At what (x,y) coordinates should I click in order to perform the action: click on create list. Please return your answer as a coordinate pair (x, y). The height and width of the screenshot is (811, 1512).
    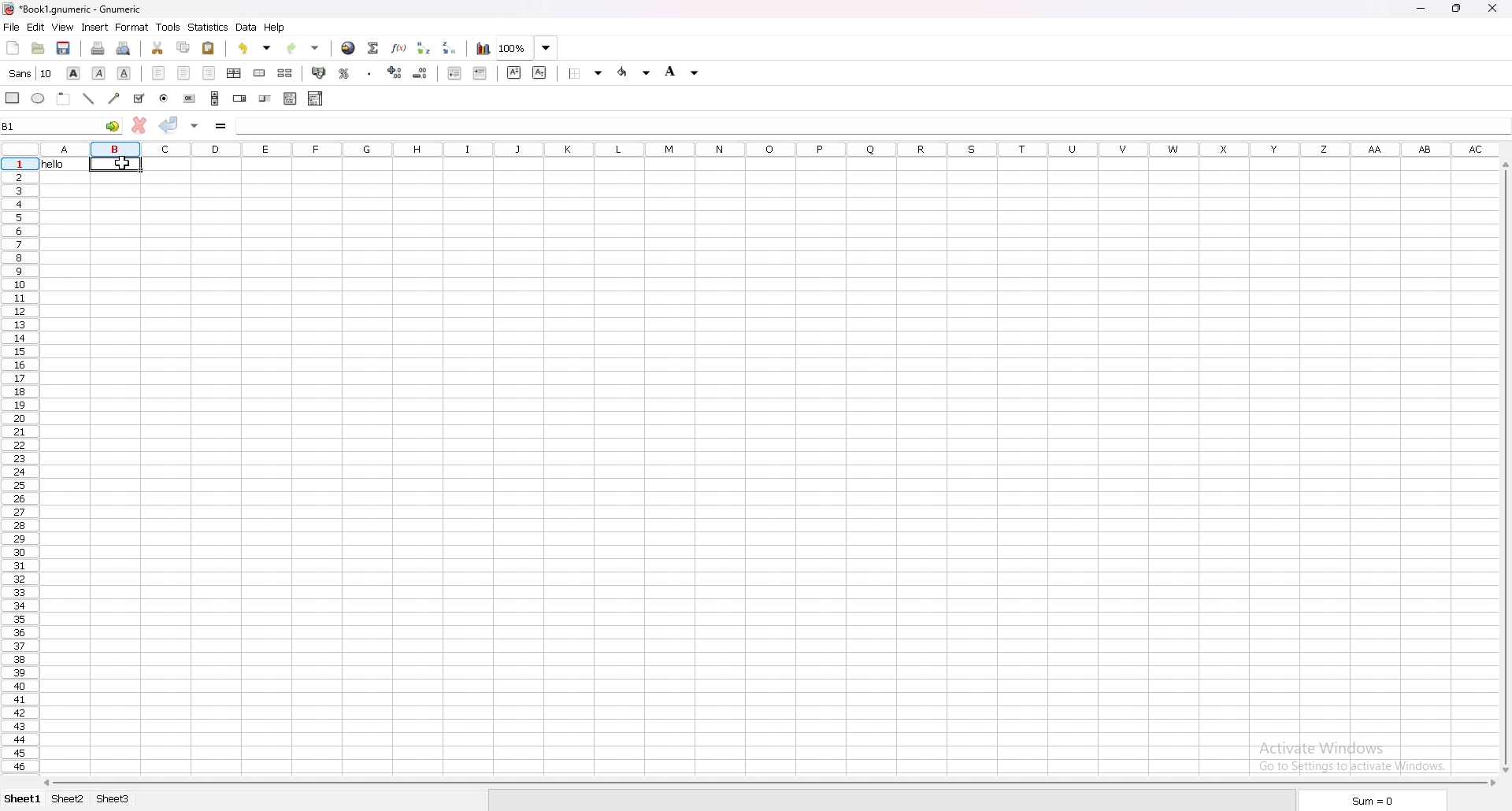
    Looking at the image, I should click on (291, 98).